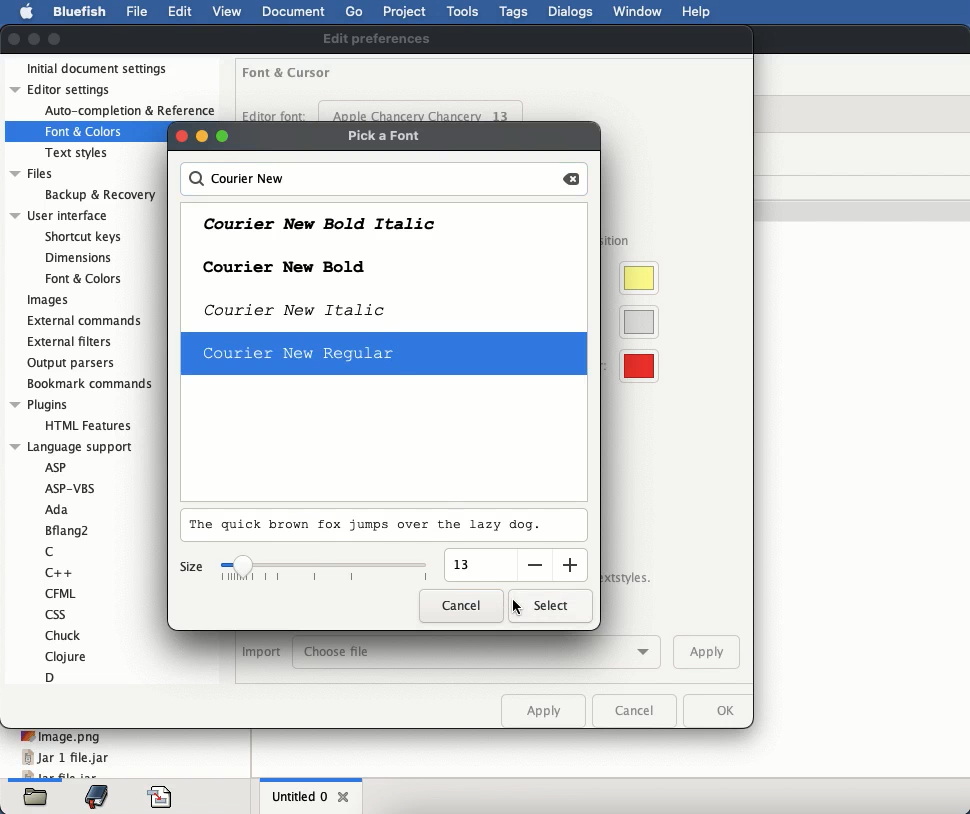 The height and width of the screenshot is (814, 970). I want to click on bookmark, so click(96, 796).